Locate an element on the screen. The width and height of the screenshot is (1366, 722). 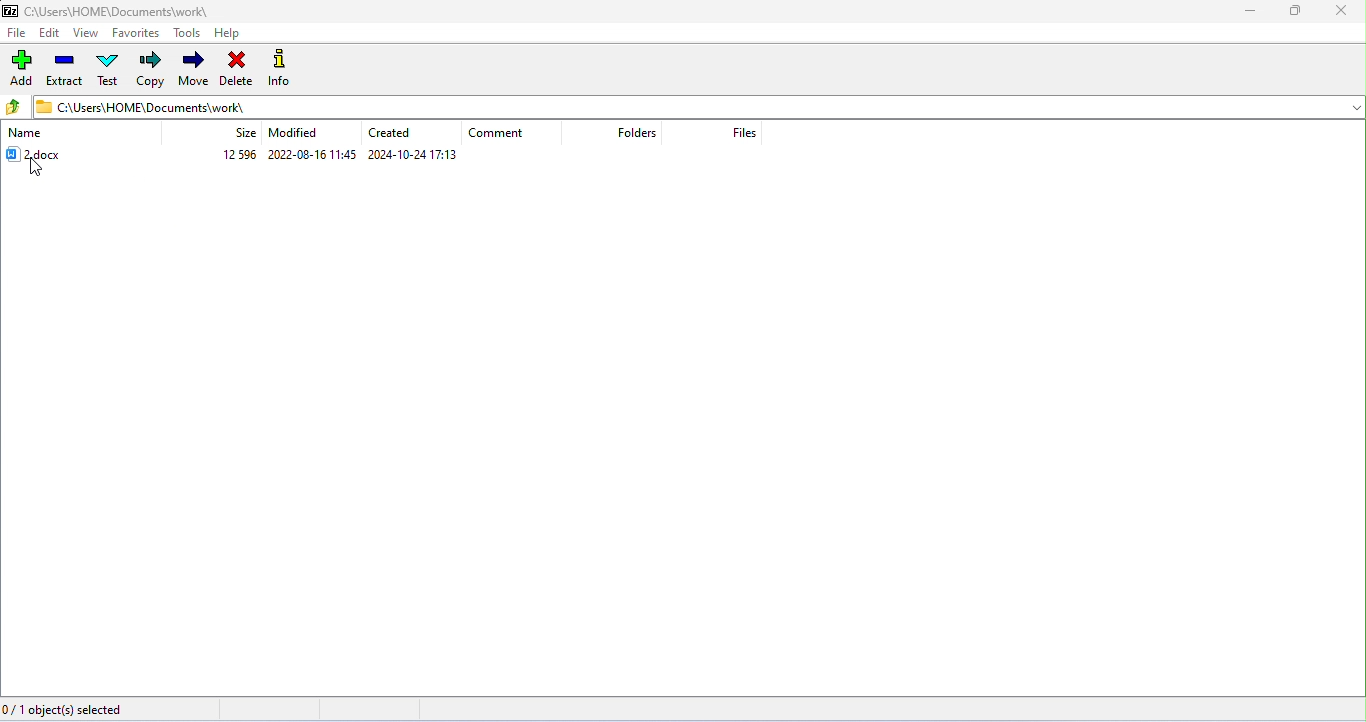
2024-10-24 17:13 is located at coordinates (413, 155).